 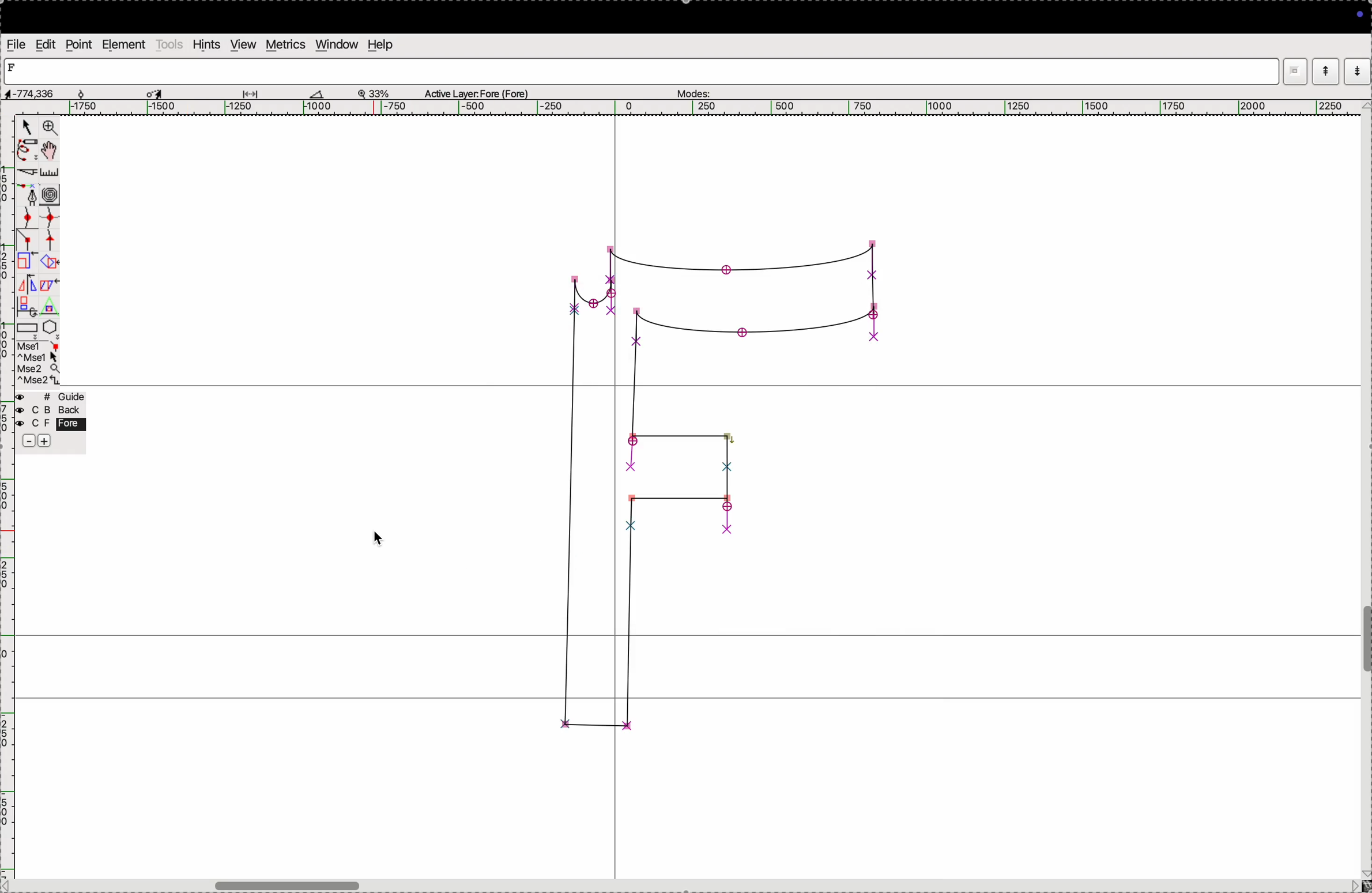 I want to click on back, so click(x=47, y=411).